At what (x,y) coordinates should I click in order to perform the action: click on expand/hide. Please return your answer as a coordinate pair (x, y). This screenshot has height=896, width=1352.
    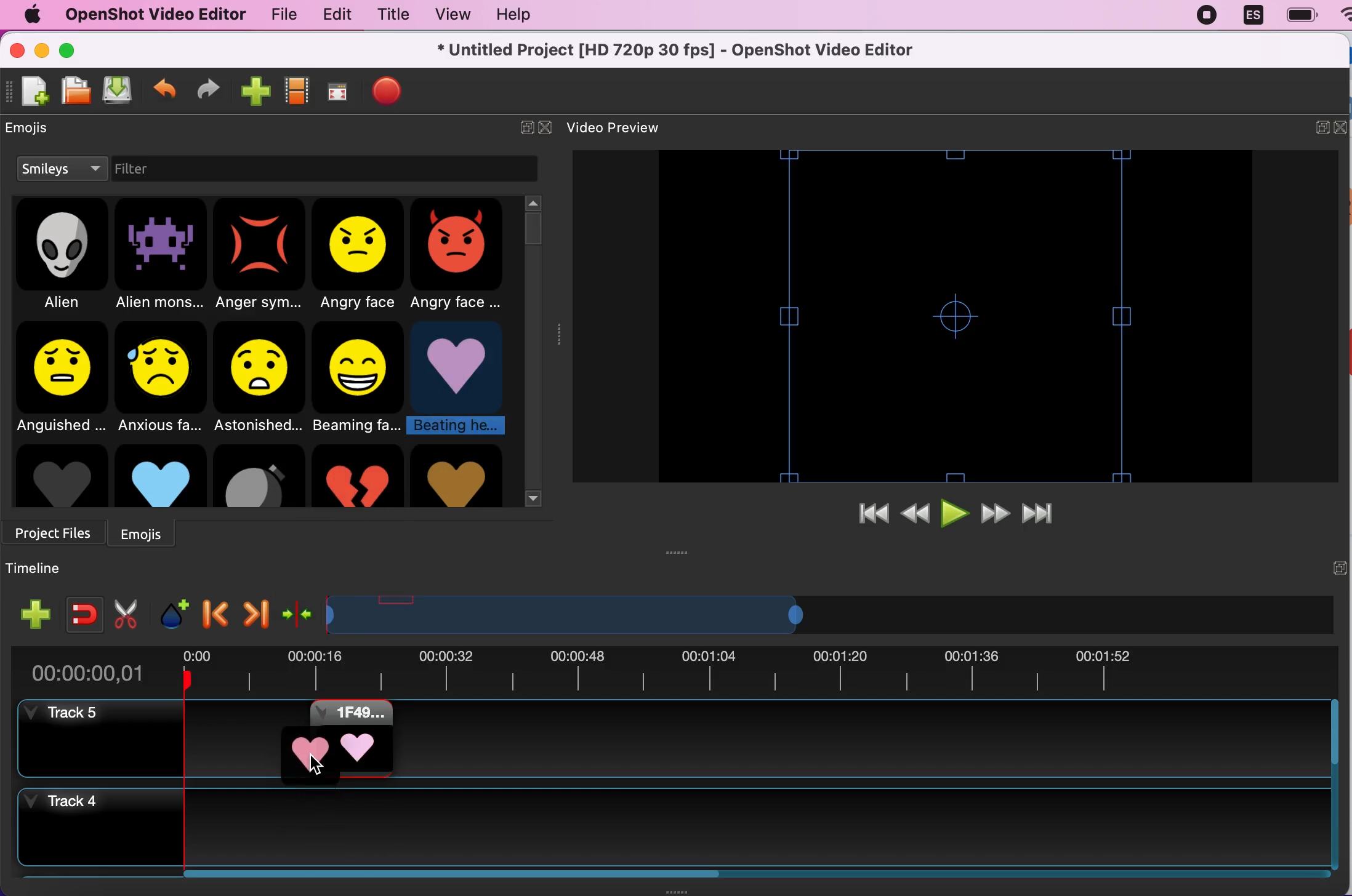
    Looking at the image, I should click on (1338, 567).